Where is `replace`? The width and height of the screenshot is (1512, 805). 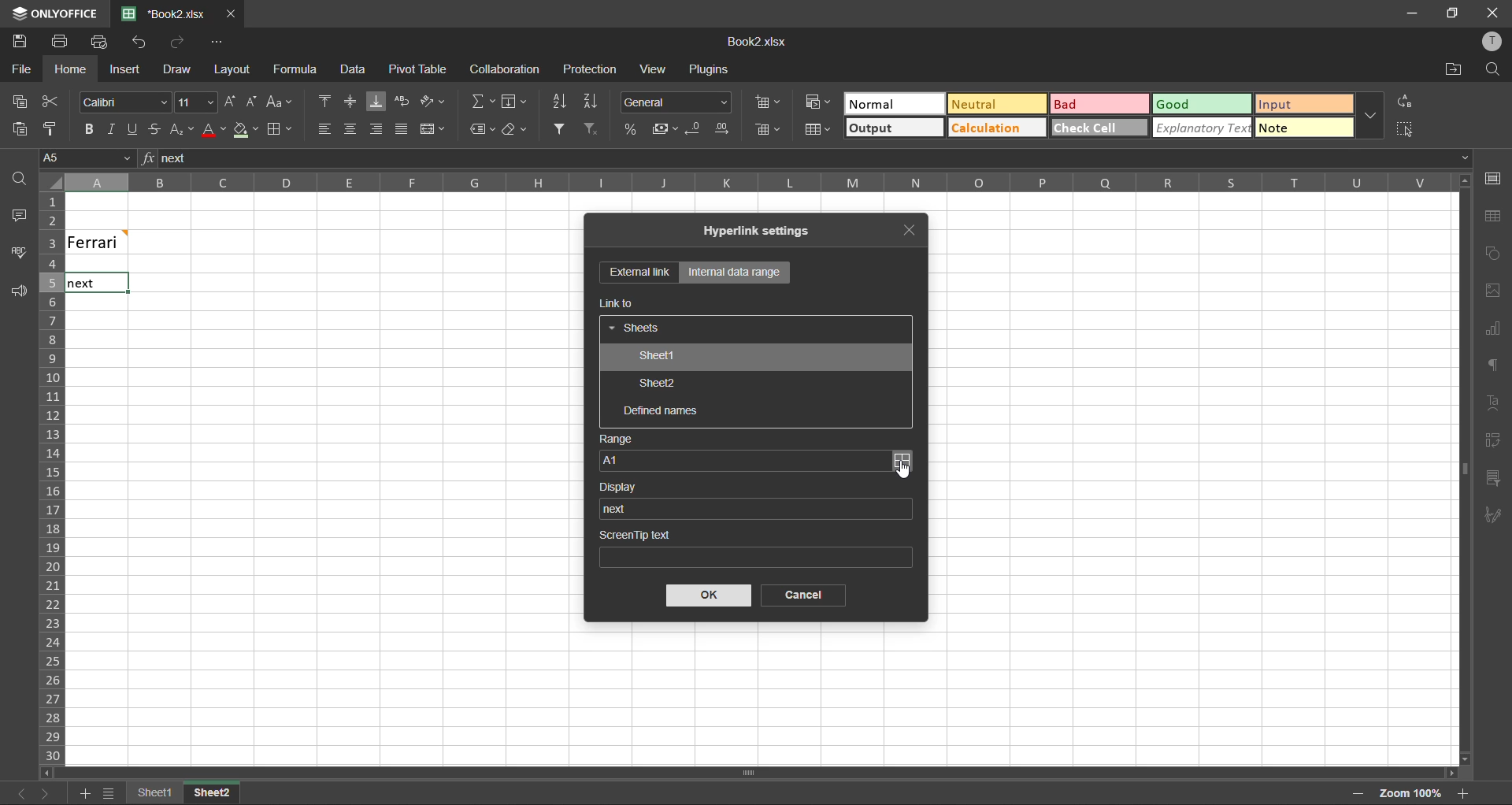
replace is located at coordinates (1407, 101).